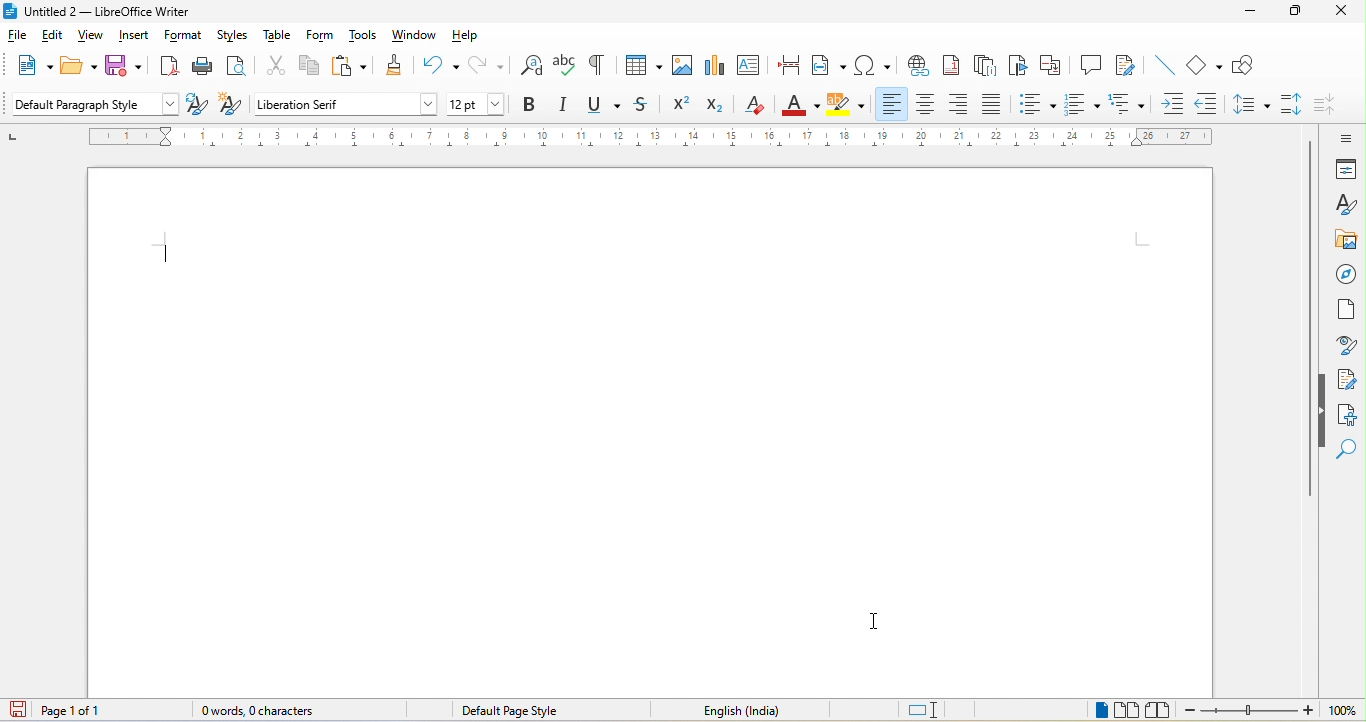  I want to click on increase indent, so click(1175, 104).